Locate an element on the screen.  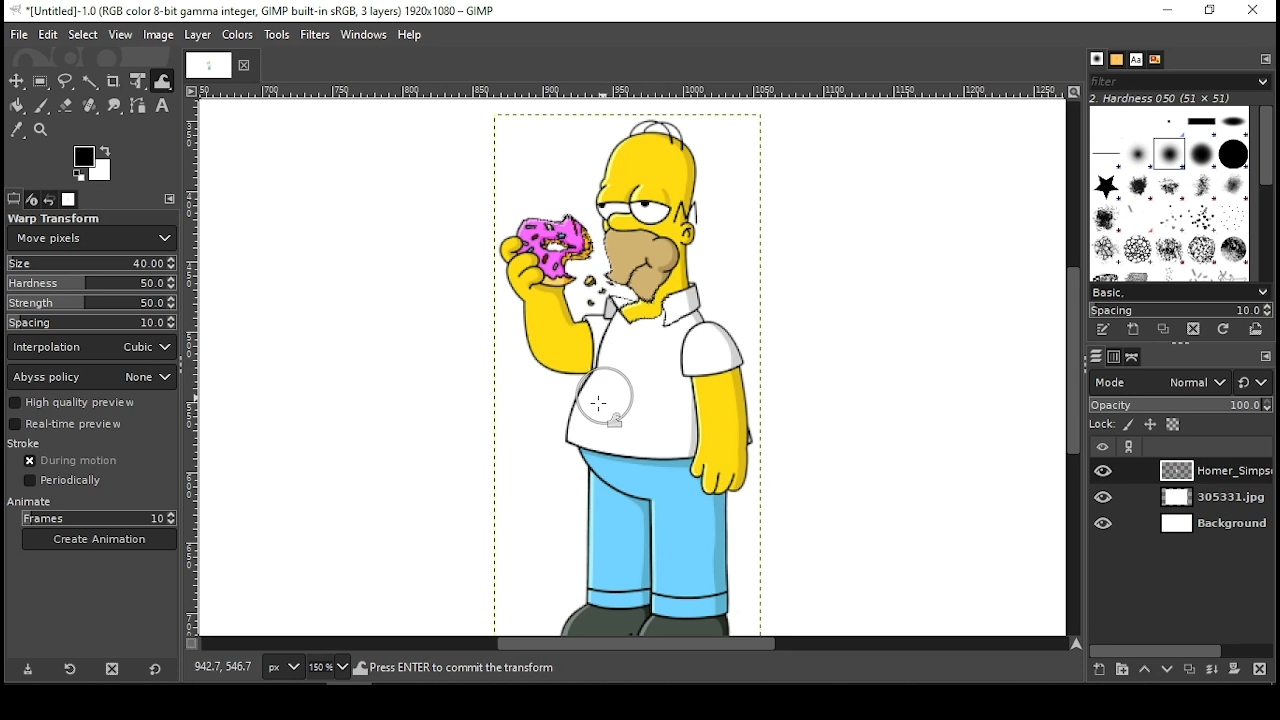
device status is located at coordinates (33, 200).